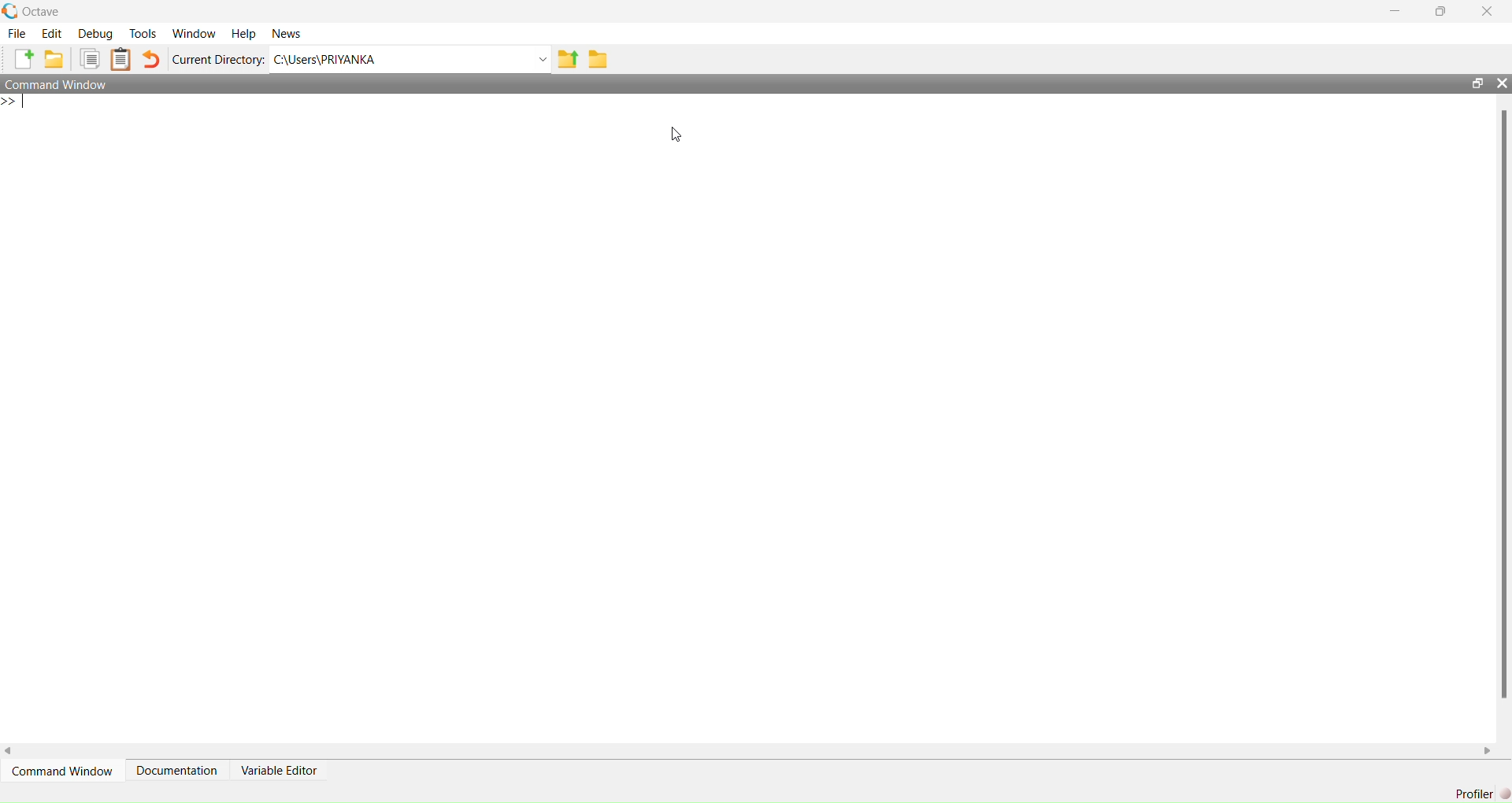 This screenshot has height=803, width=1512. Describe the element at coordinates (1502, 83) in the screenshot. I see `close` at that location.